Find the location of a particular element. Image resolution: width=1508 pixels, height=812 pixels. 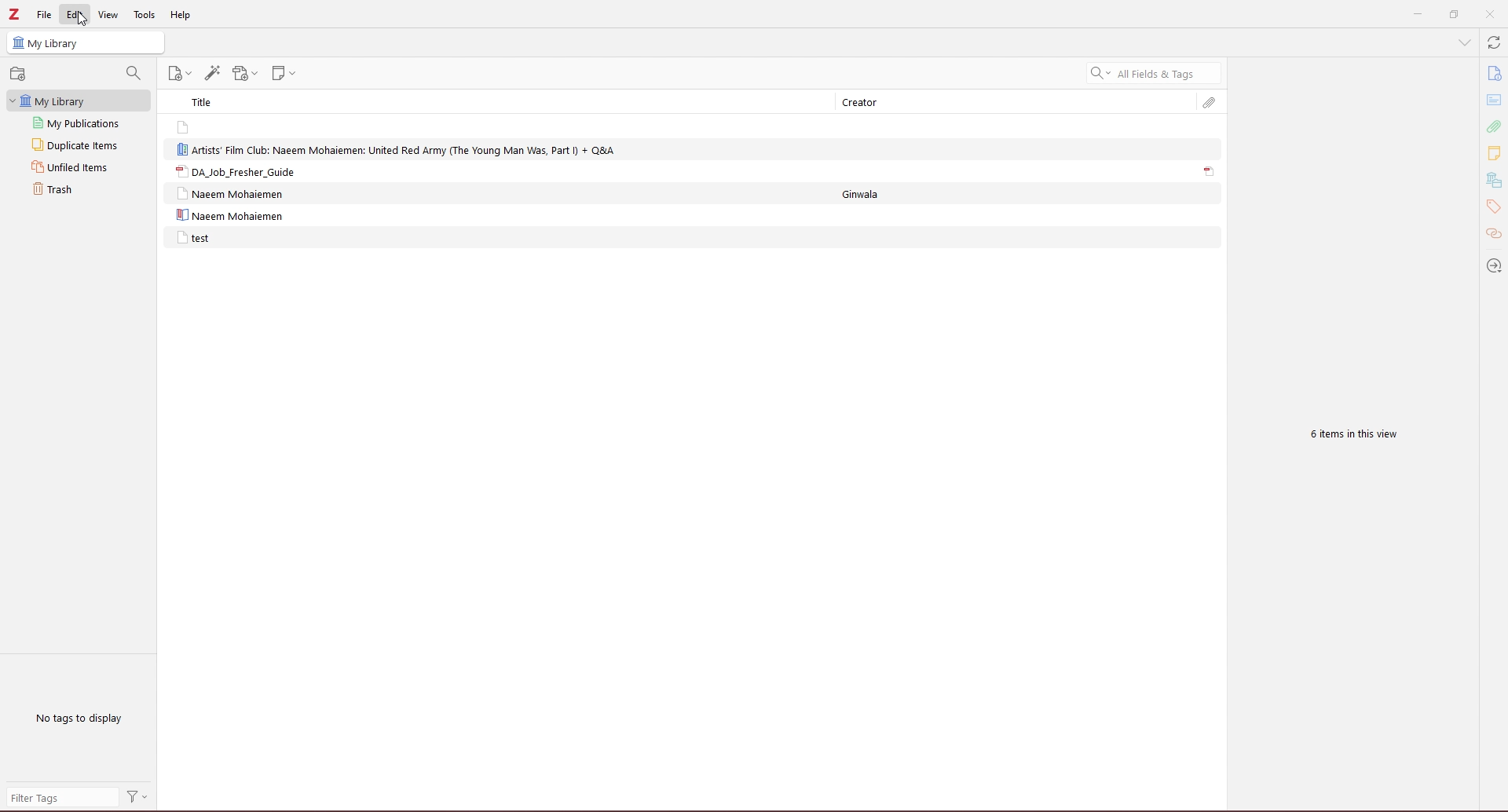

libraries and collection is located at coordinates (1493, 181).